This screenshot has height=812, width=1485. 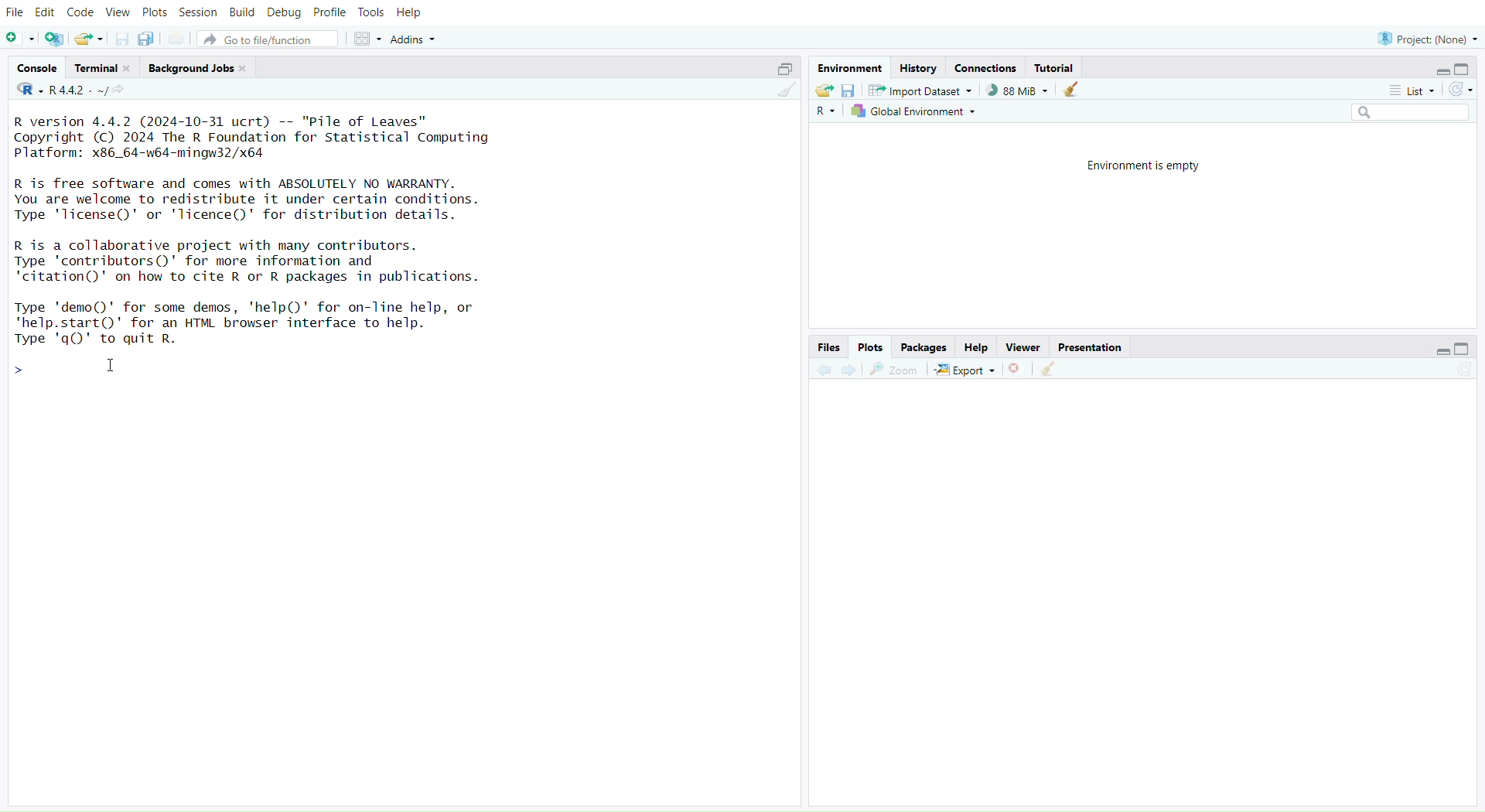 I want to click on console, so click(x=36, y=67).